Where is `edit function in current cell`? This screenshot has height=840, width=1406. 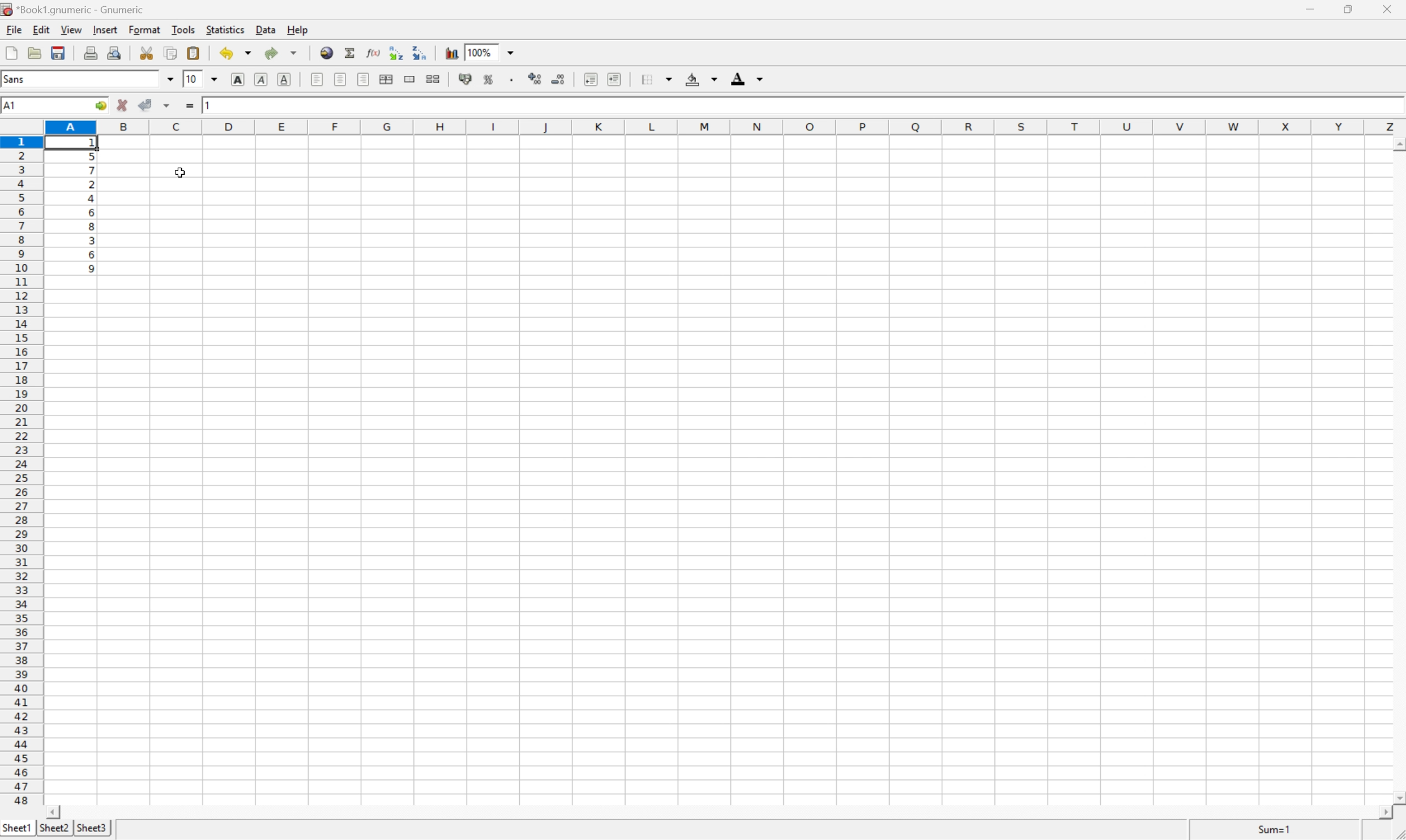 edit function in current cell is located at coordinates (373, 52).